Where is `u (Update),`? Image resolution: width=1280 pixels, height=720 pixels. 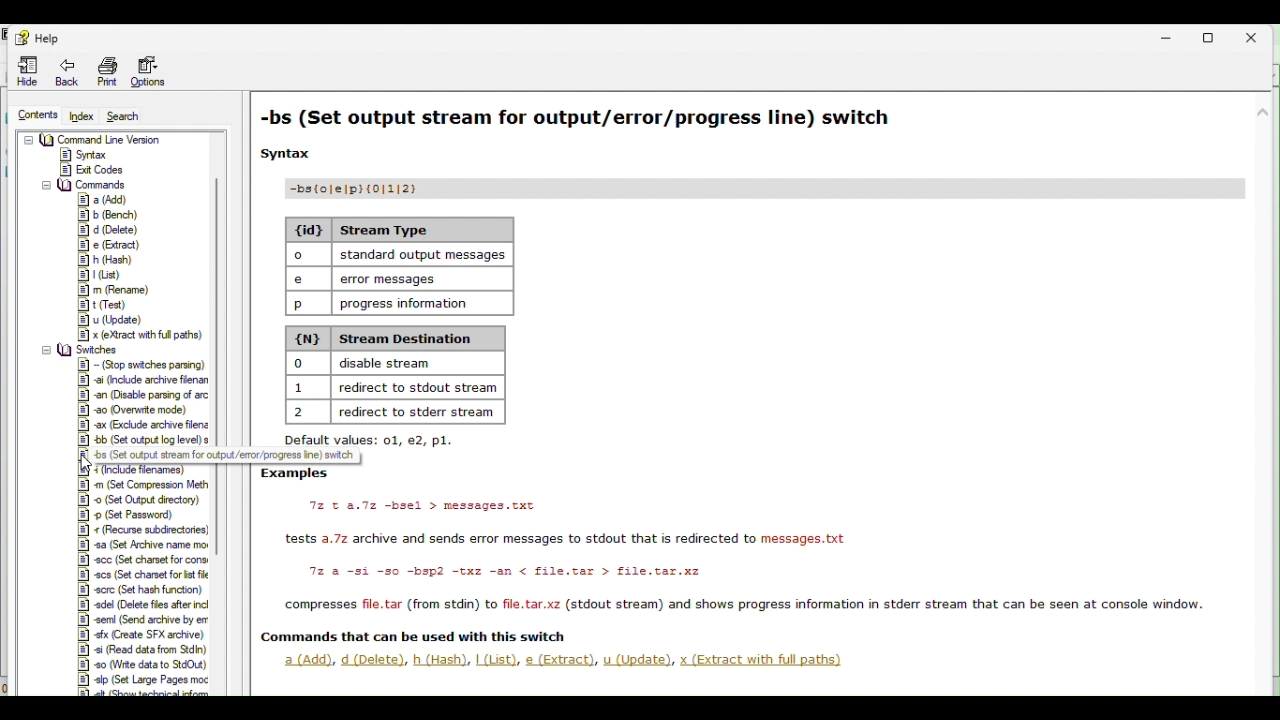
u (Update), is located at coordinates (639, 660).